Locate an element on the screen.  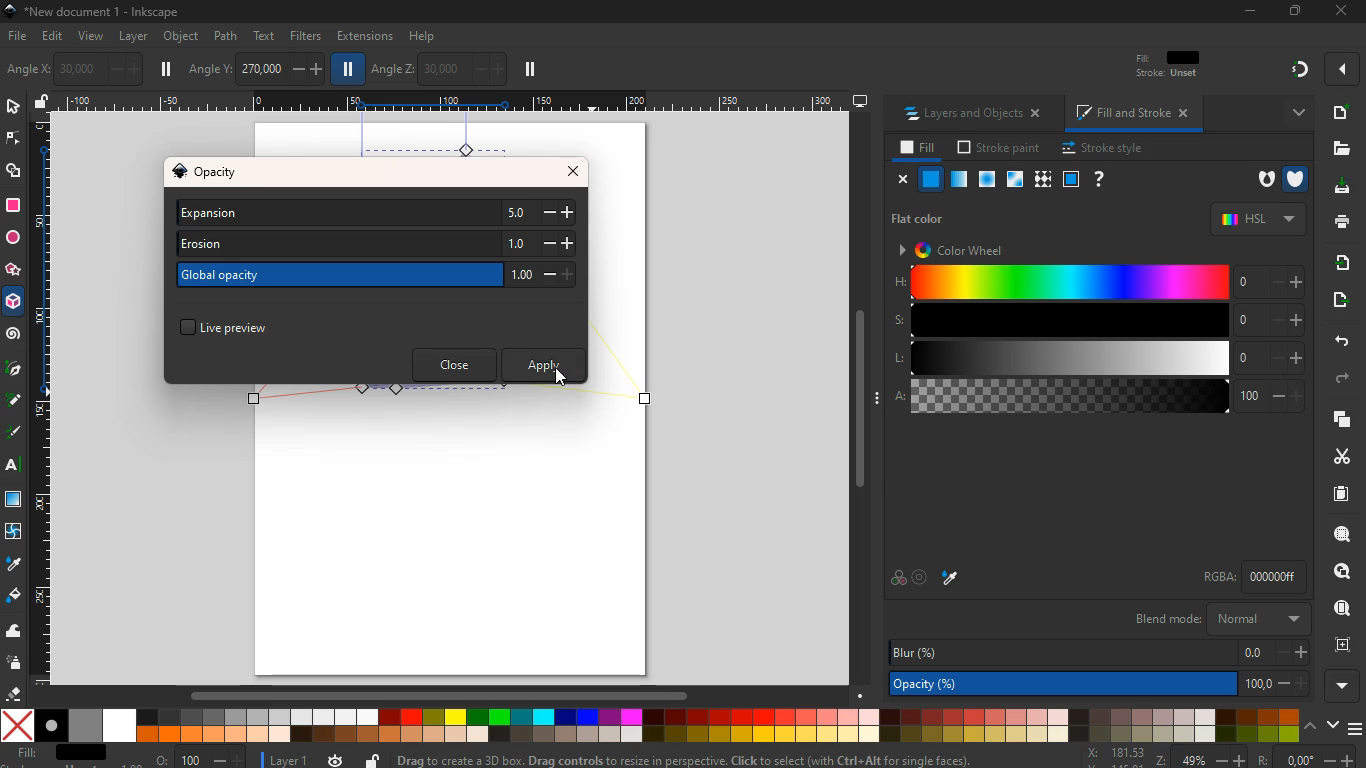
Scrollbar is located at coordinates (859, 395).